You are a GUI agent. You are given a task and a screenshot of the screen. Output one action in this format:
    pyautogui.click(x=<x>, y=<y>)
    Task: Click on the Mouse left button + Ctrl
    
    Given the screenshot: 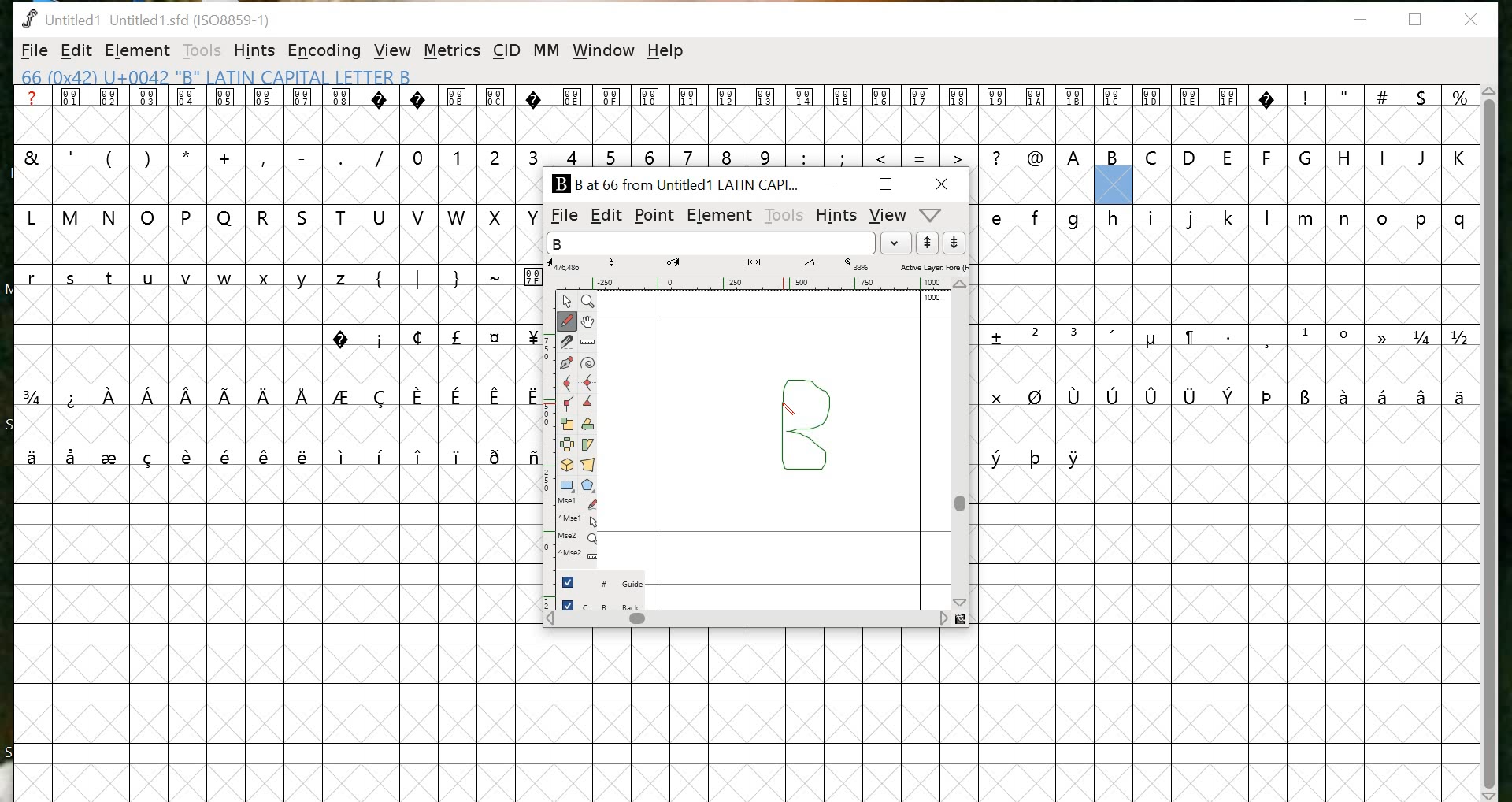 What is the action you would take?
    pyautogui.click(x=582, y=522)
    